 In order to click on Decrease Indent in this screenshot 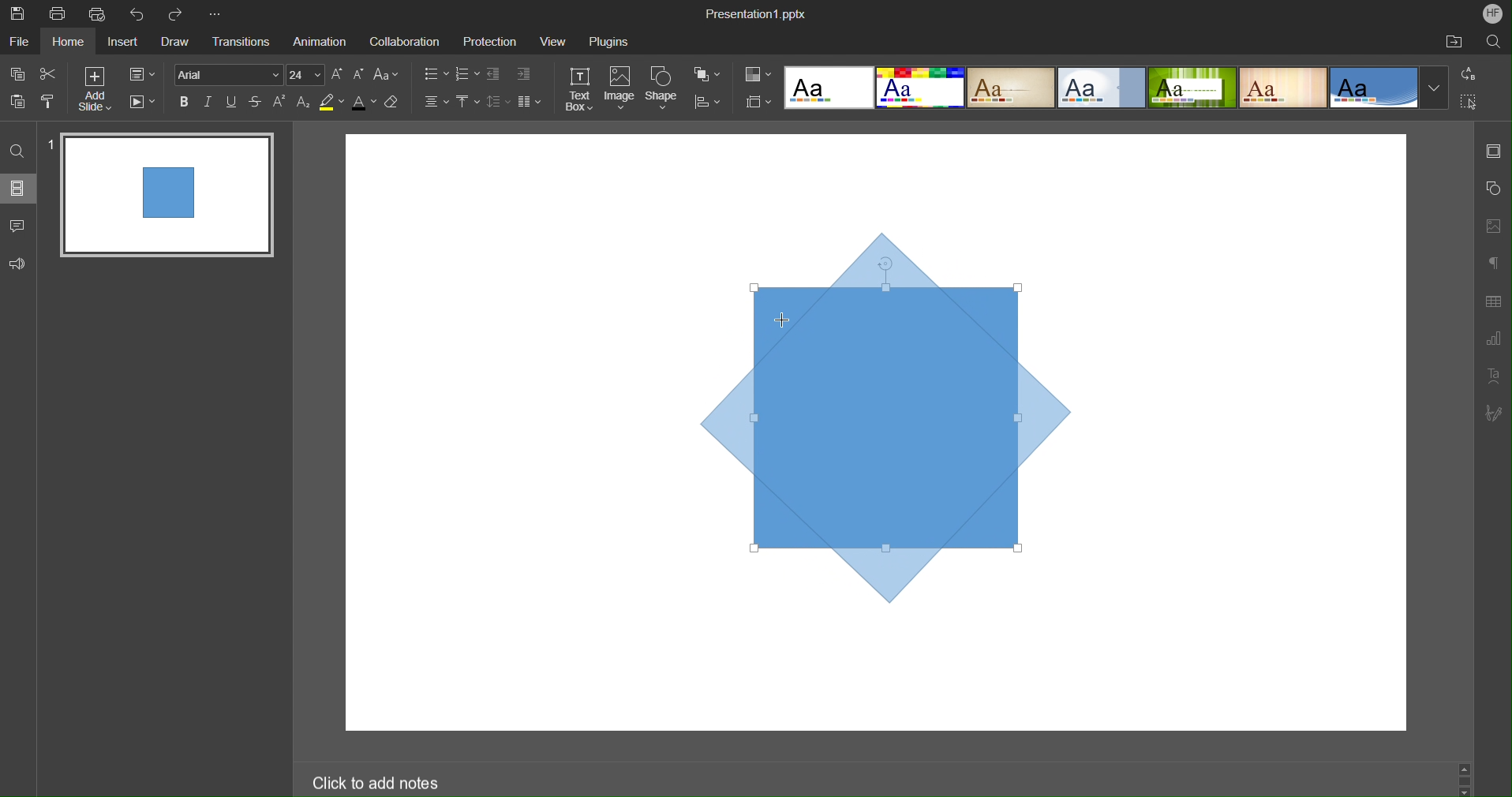, I will do `click(494, 74)`.